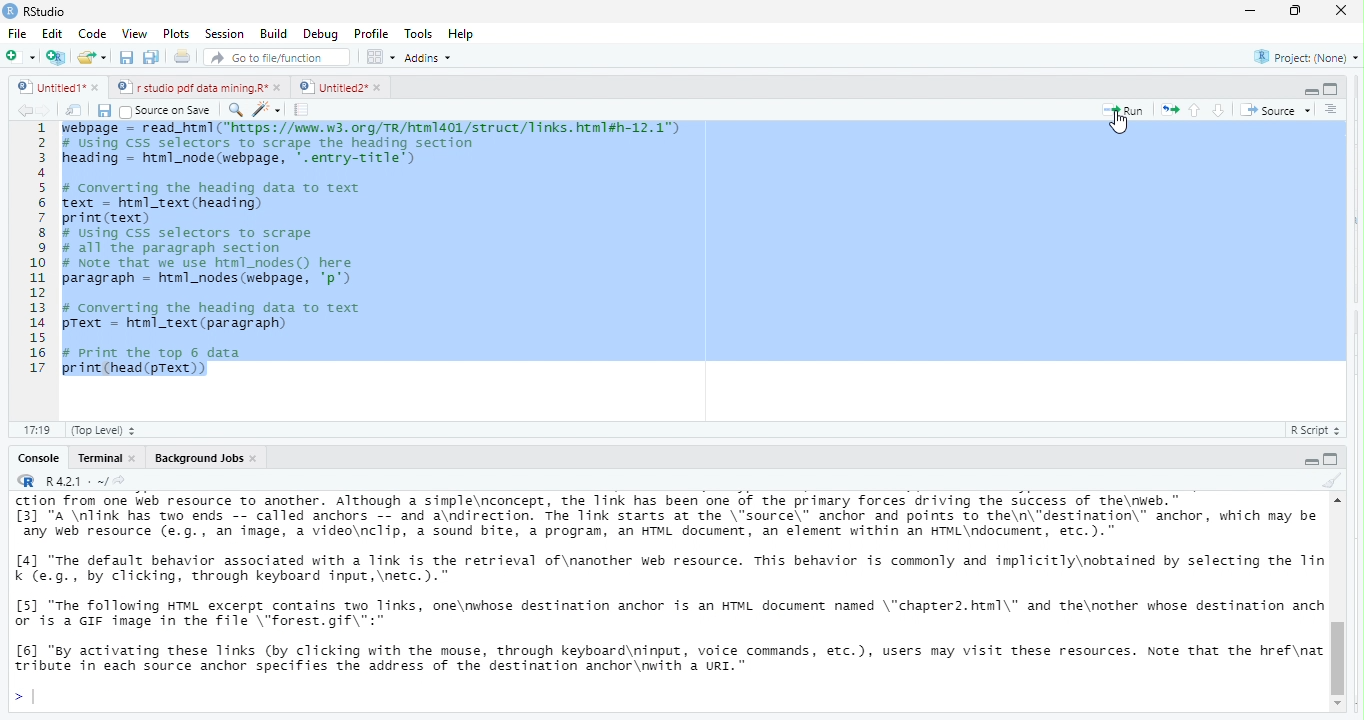 The image size is (1364, 720). I want to click on show document outline, so click(1332, 109).